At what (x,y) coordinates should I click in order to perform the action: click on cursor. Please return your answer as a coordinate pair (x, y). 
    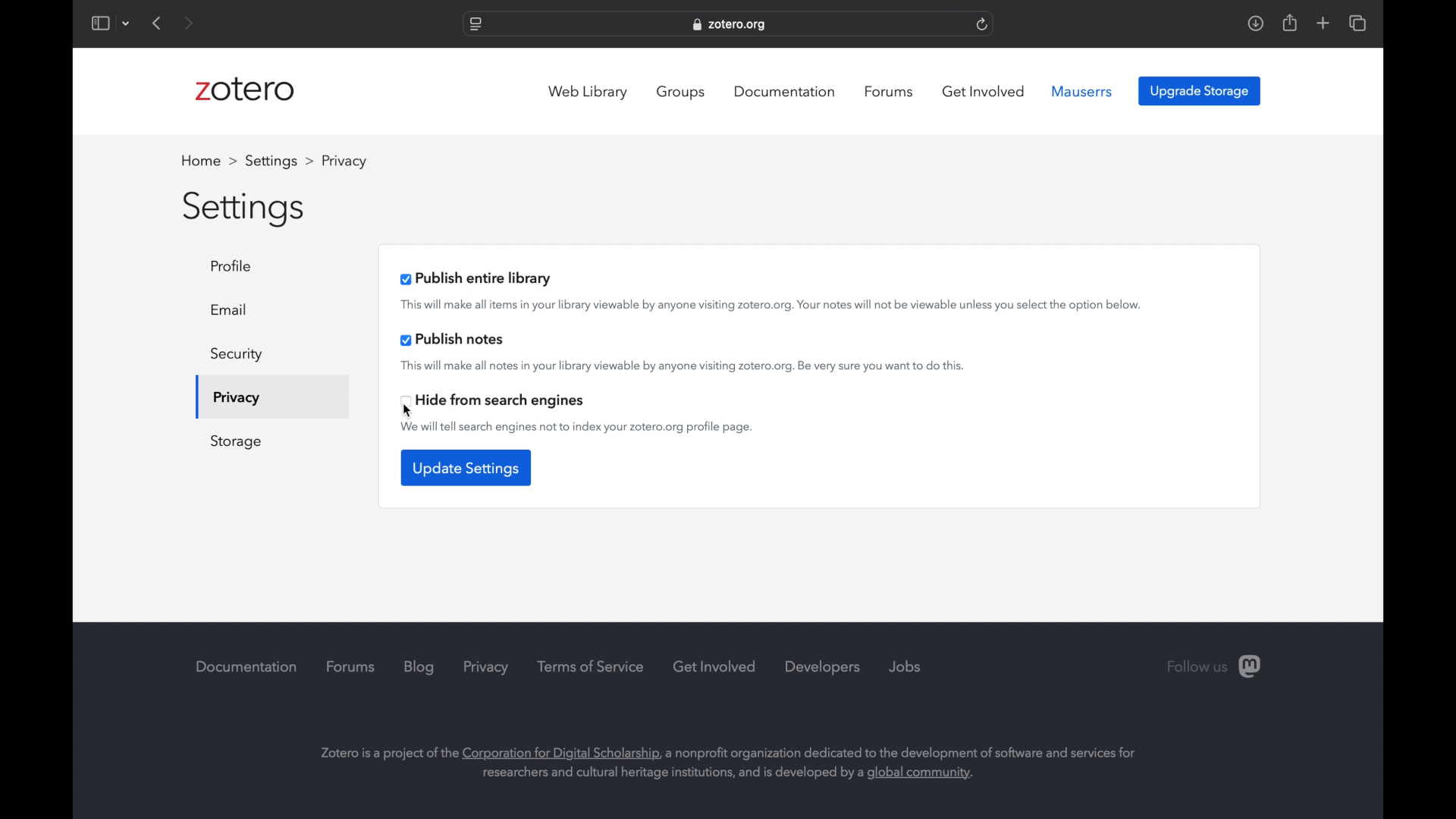
    Looking at the image, I should click on (409, 412).